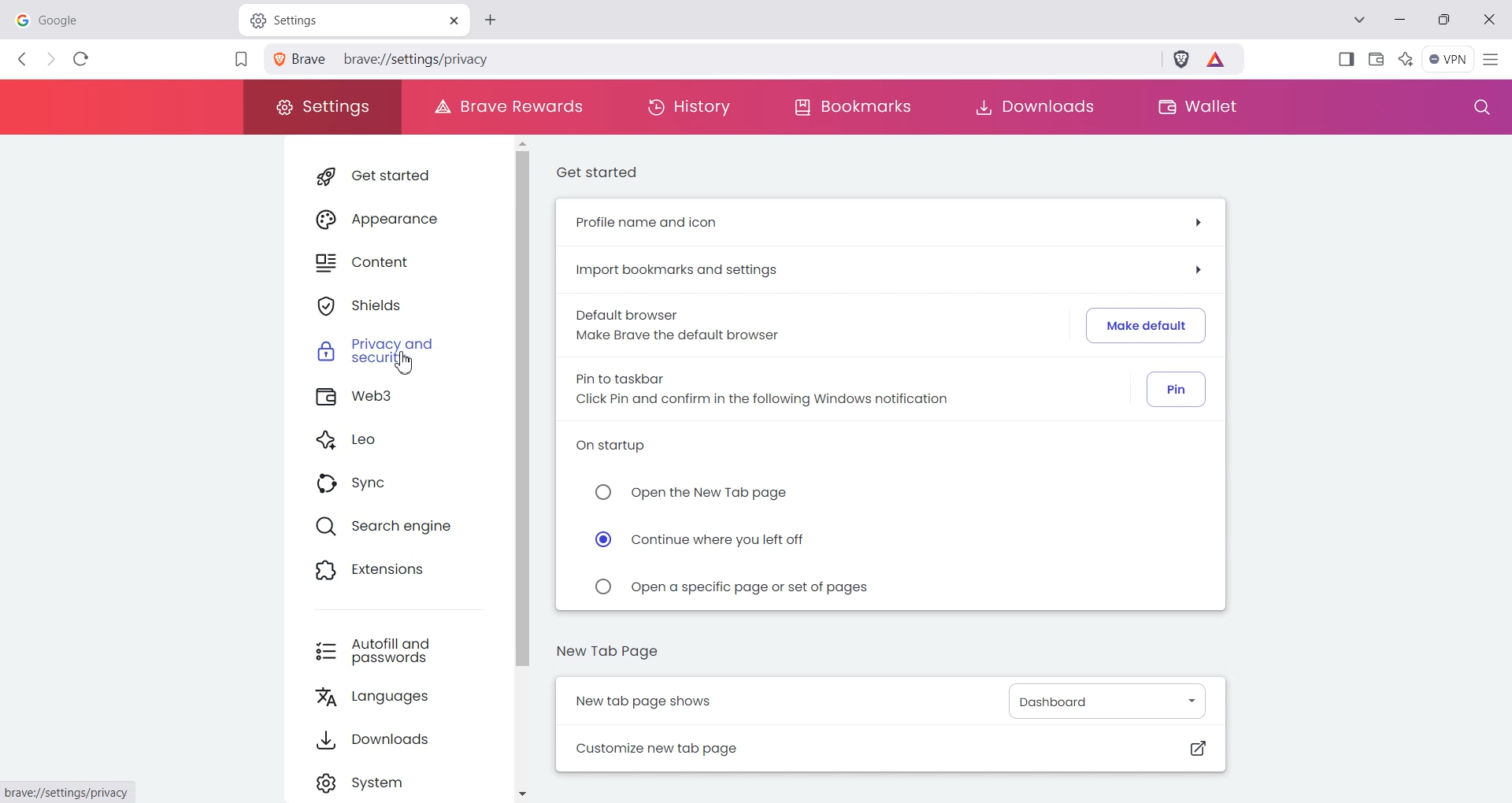  What do you see at coordinates (754, 390) in the screenshot?
I see `Pin to taskbar
Click Pin and confirm in the following Windows notification` at bounding box center [754, 390].